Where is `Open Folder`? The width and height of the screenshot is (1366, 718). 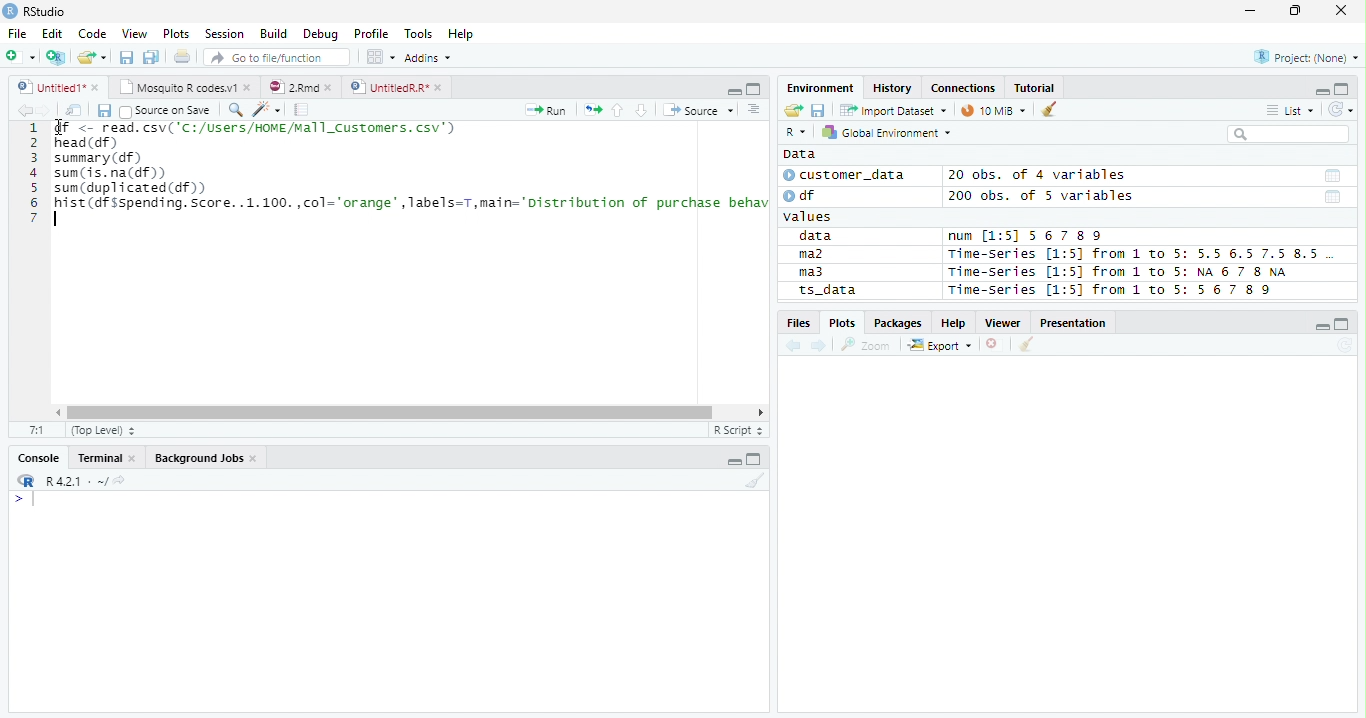 Open Folder is located at coordinates (93, 56).